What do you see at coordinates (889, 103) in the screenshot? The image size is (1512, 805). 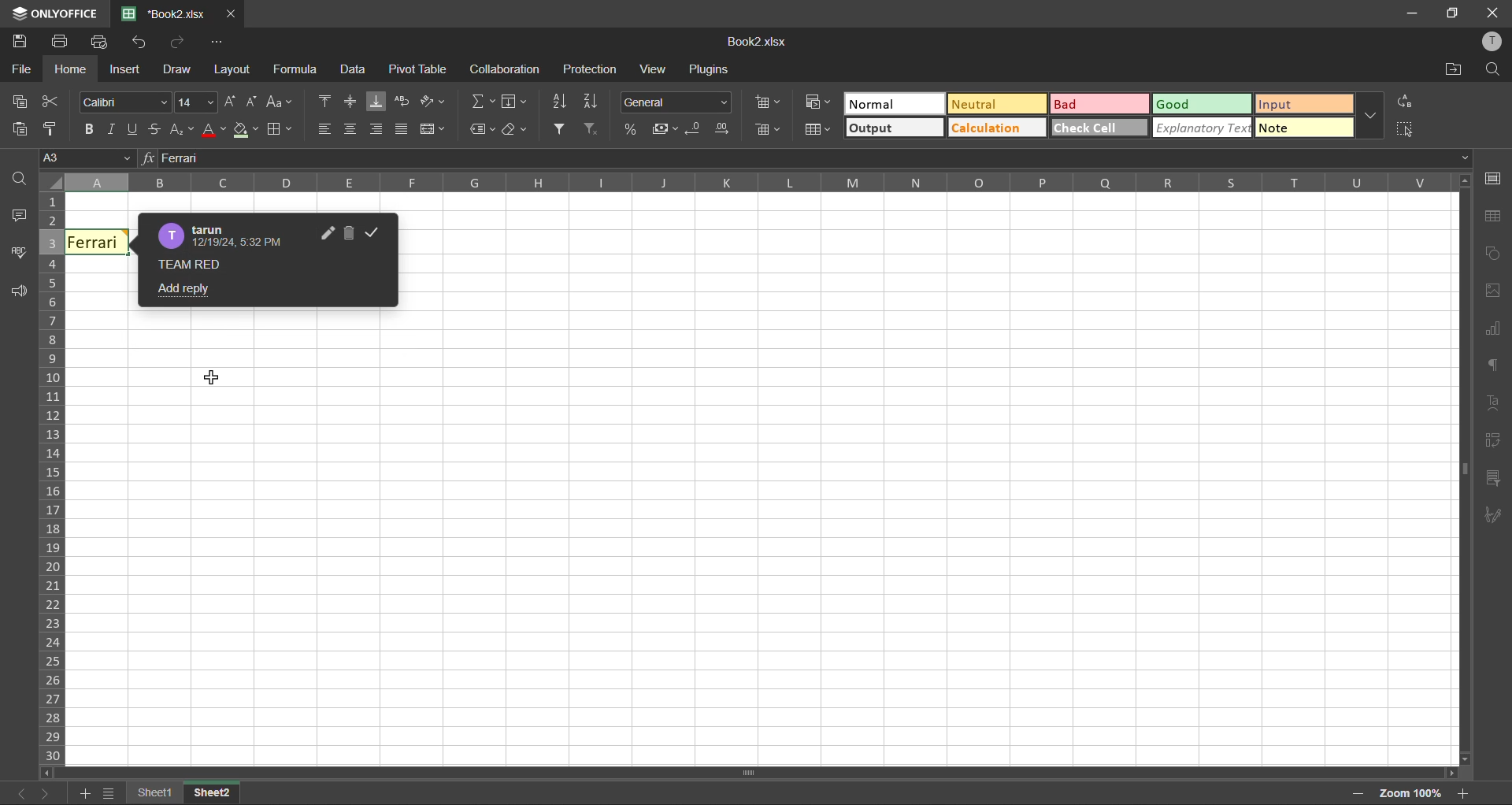 I see `normal` at bounding box center [889, 103].